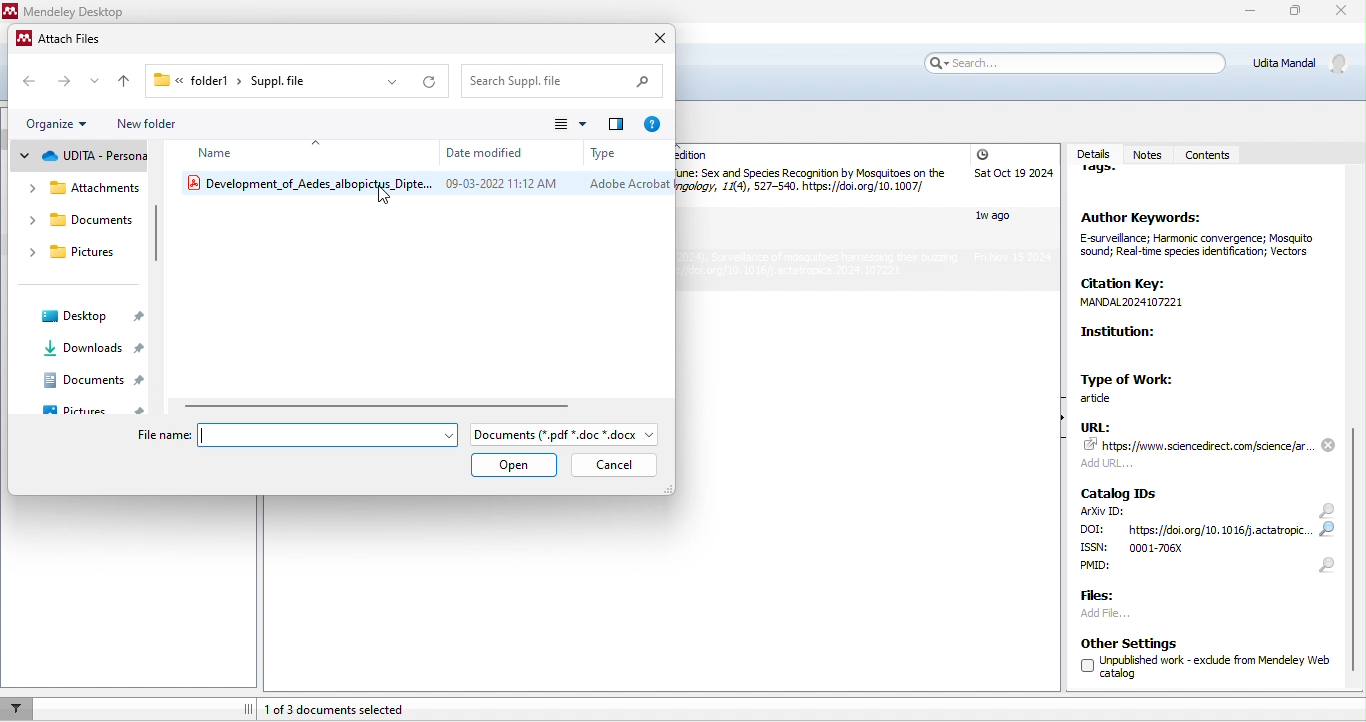 Image resolution: width=1366 pixels, height=722 pixels. Describe the element at coordinates (92, 350) in the screenshot. I see `downloads` at that location.